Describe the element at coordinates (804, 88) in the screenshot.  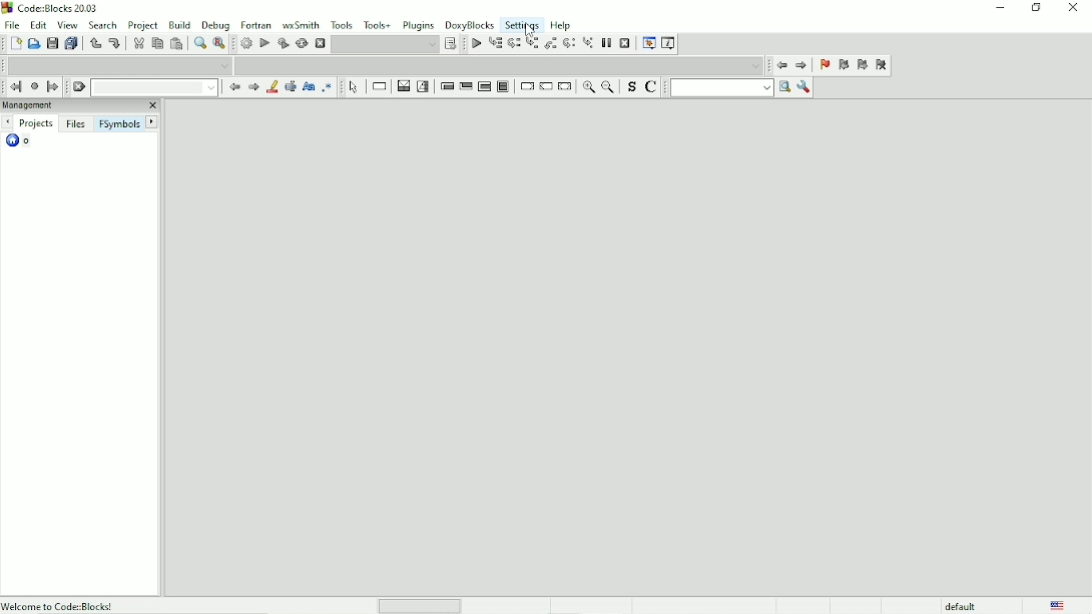
I see `Show options window` at that location.